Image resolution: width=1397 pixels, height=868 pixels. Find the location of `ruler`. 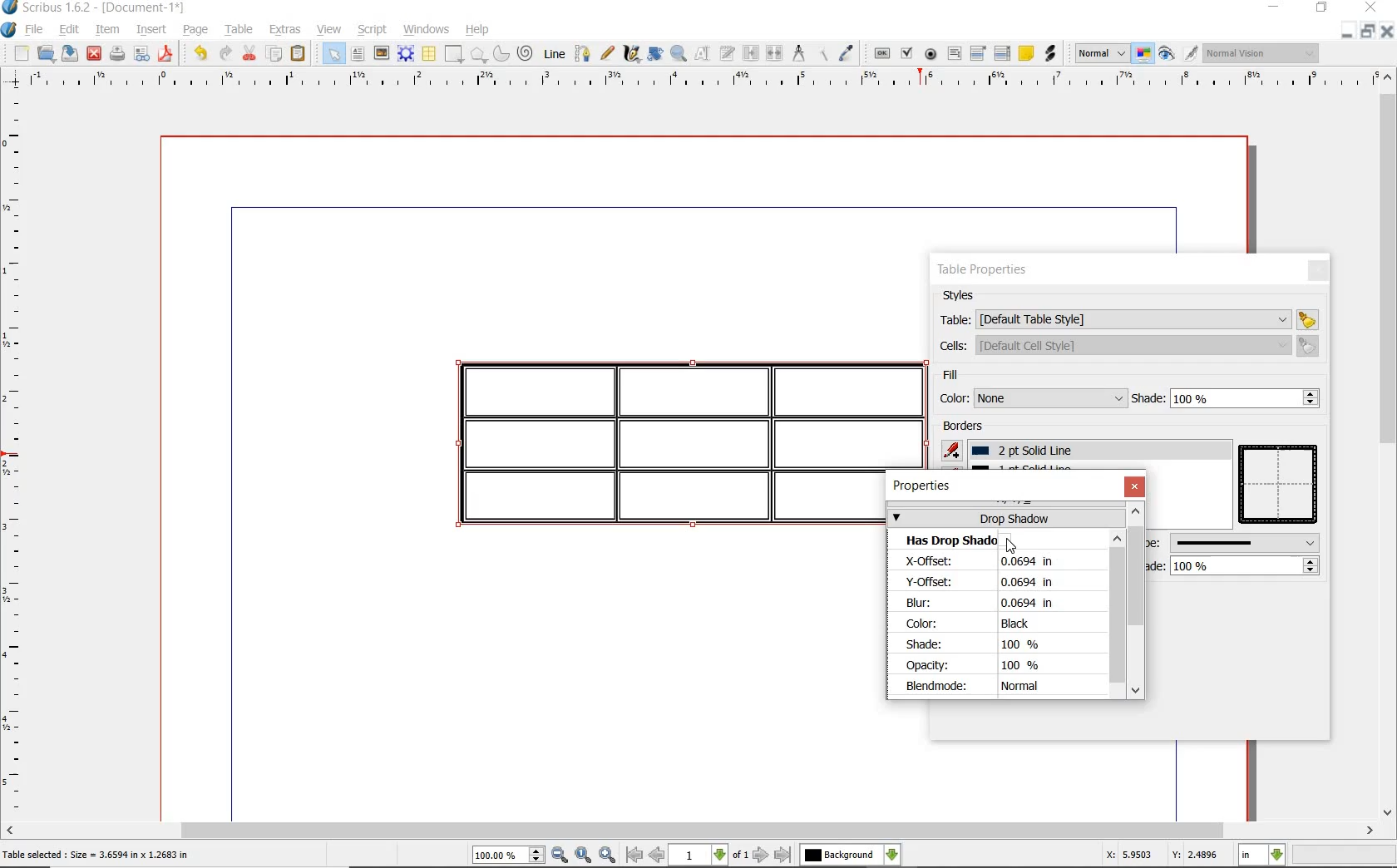

ruler is located at coordinates (17, 454).